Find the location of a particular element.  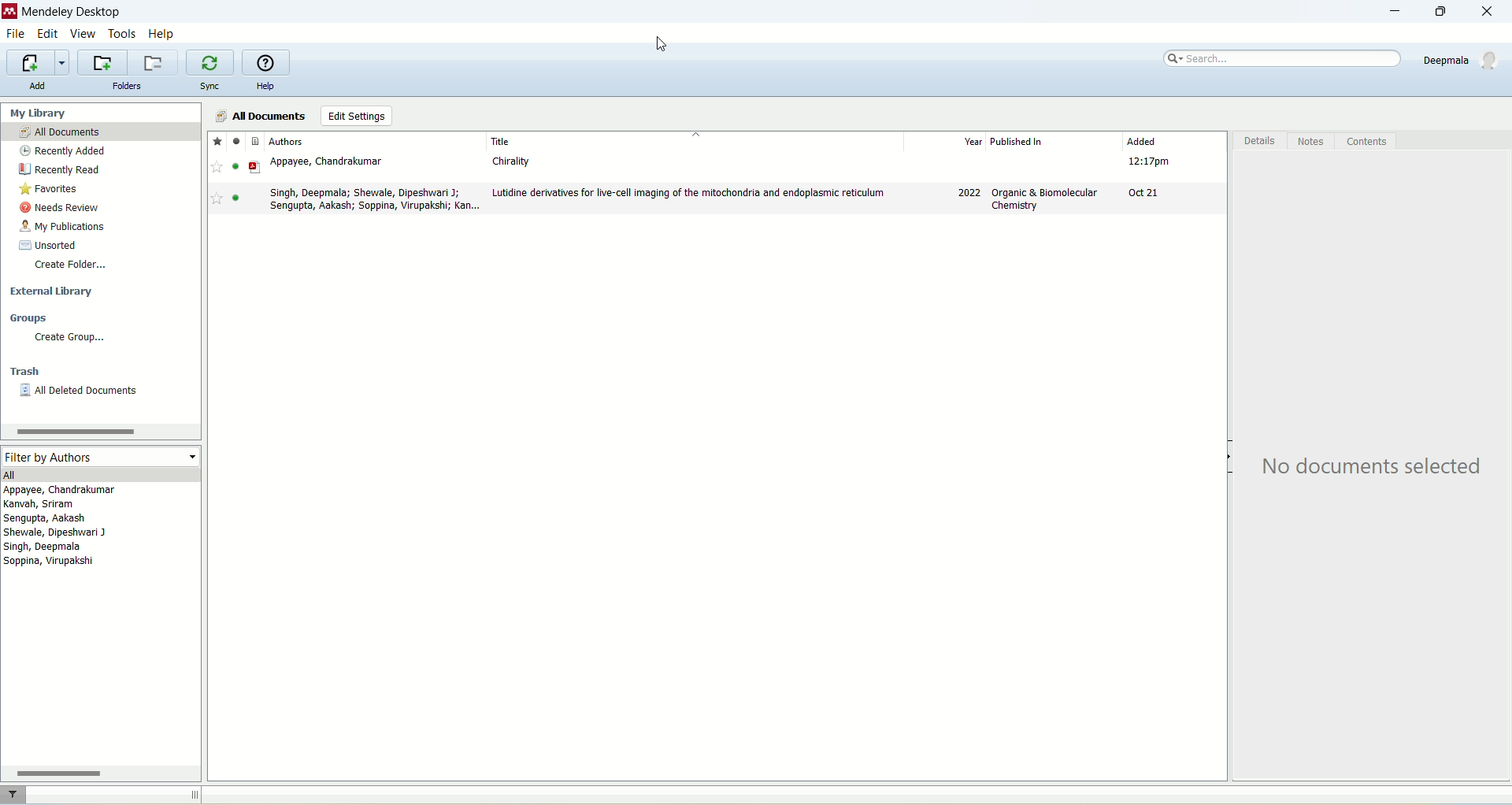

add is located at coordinates (39, 88).